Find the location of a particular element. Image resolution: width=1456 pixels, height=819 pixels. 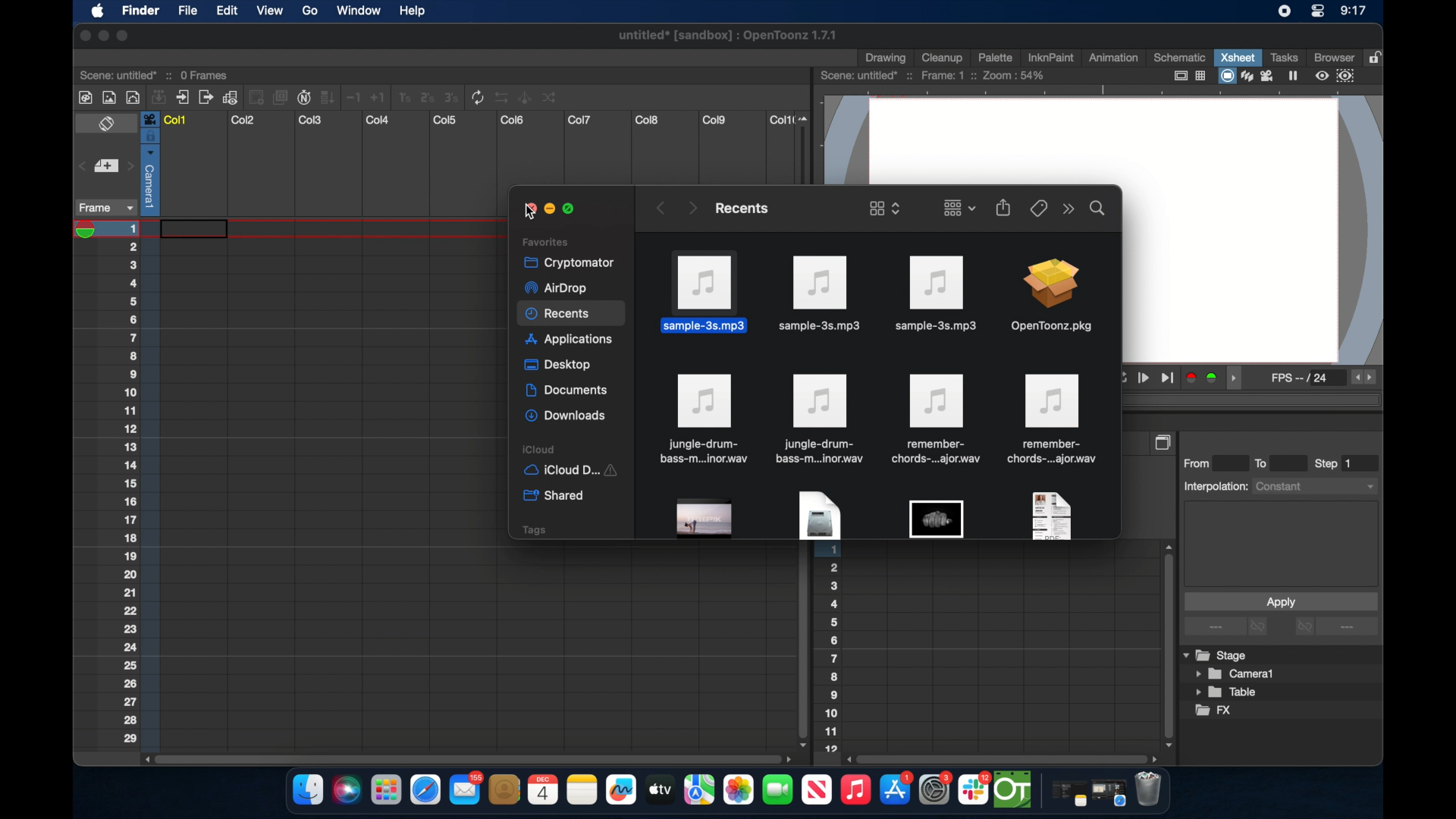

scroll box is located at coordinates (1166, 645).